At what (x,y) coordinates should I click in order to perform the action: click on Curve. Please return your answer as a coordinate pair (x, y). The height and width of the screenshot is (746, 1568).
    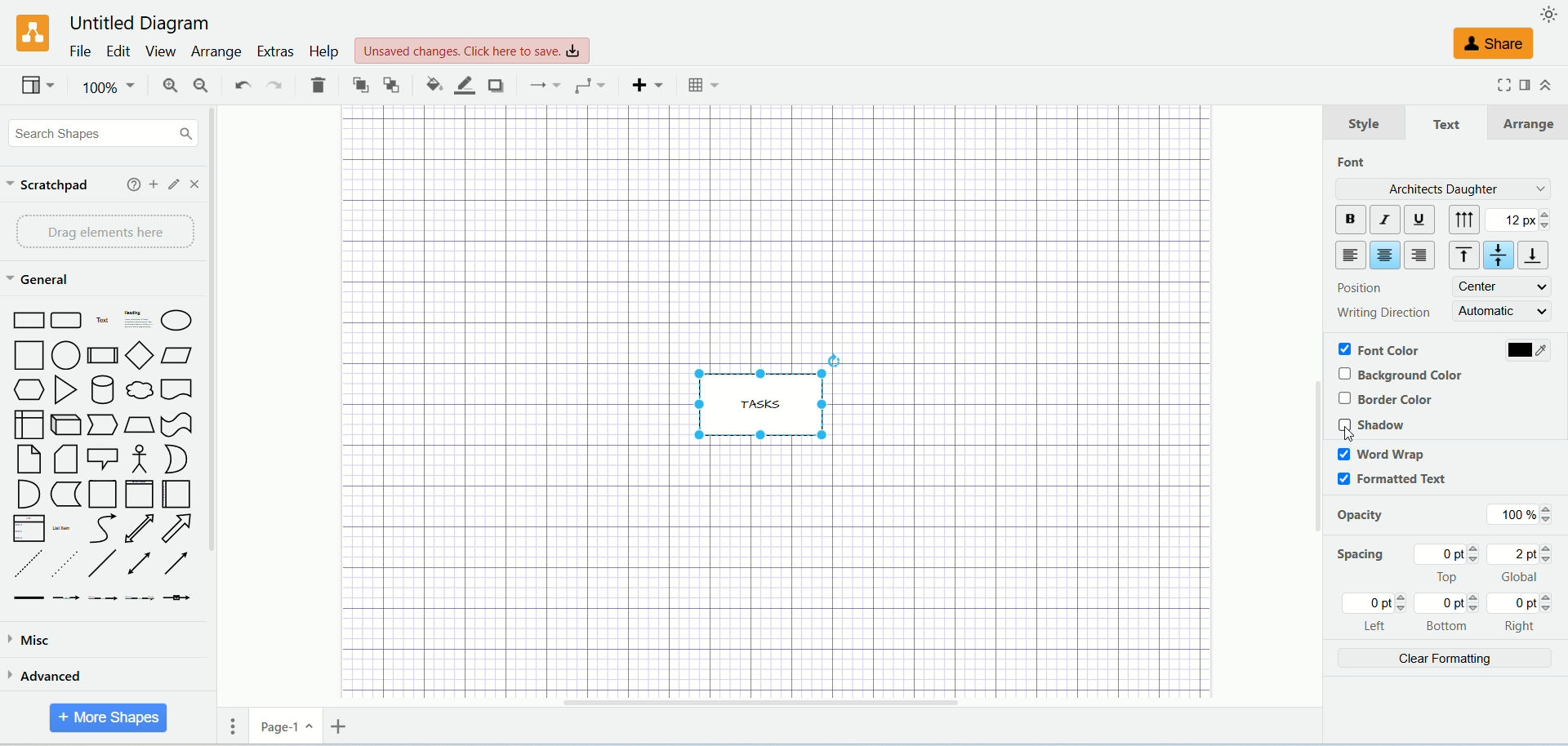
    Looking at the image, I should click on (104, 529).